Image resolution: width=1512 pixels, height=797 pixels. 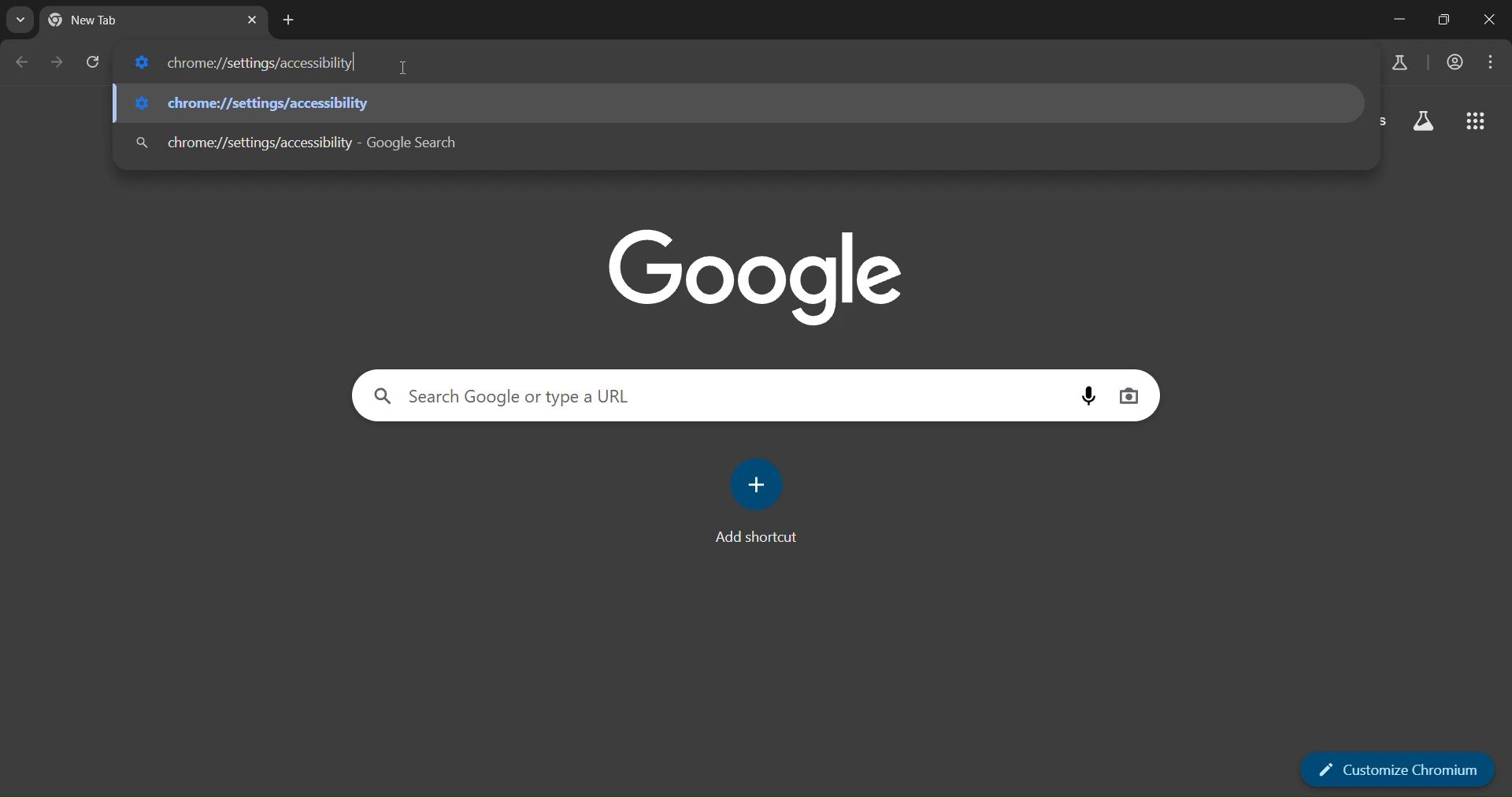 What do you see at coordinates (1490, 20) in the screenshot?
I see `close` at bounding box center [1490, 20].